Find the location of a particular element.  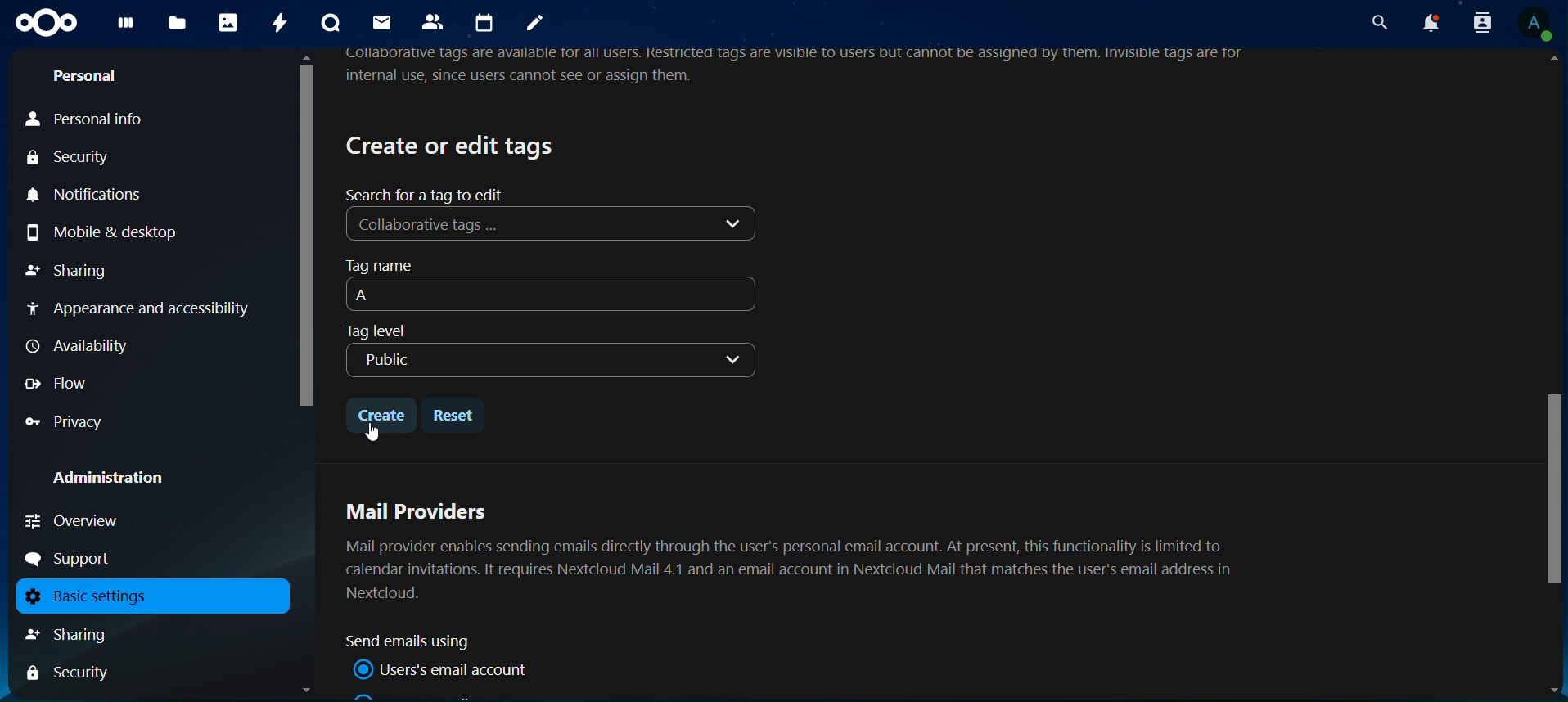

create is located at coordinates (381, 412).